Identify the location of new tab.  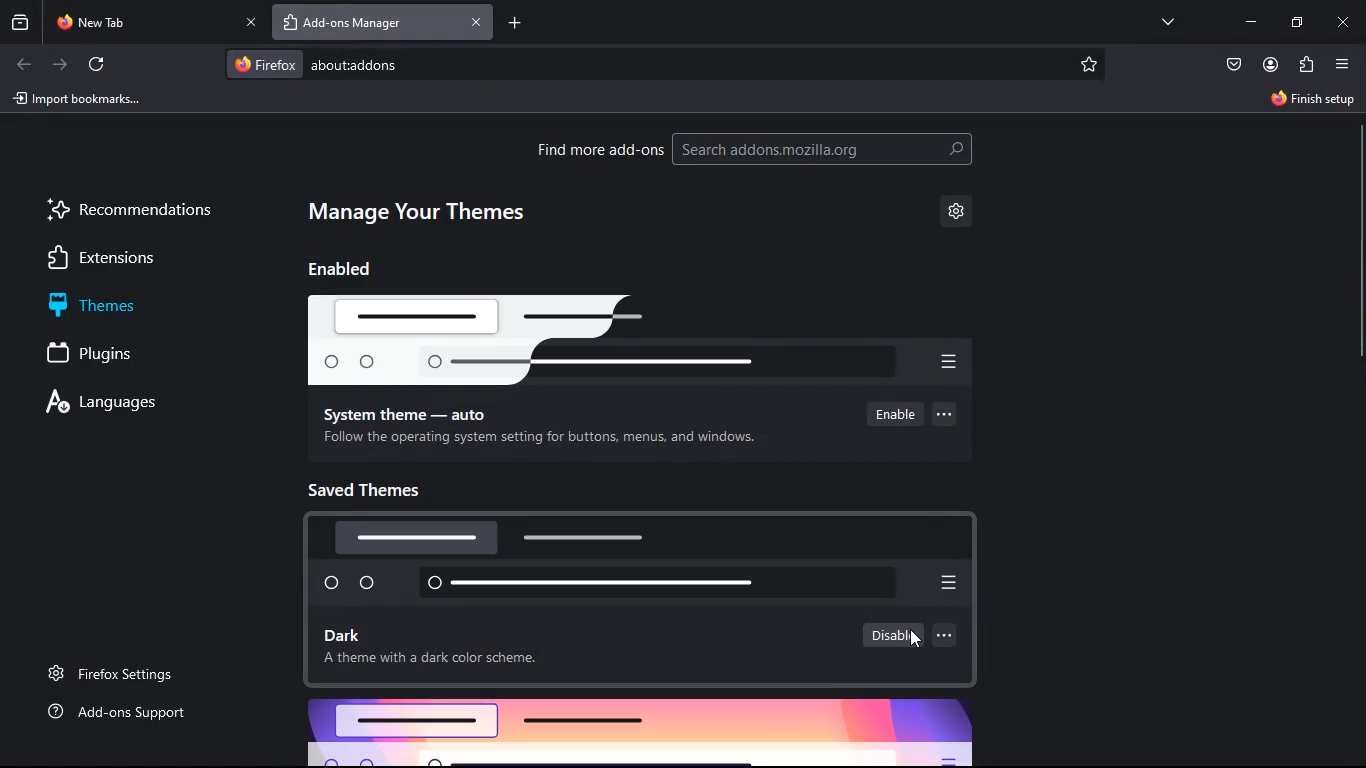
(142, 22).